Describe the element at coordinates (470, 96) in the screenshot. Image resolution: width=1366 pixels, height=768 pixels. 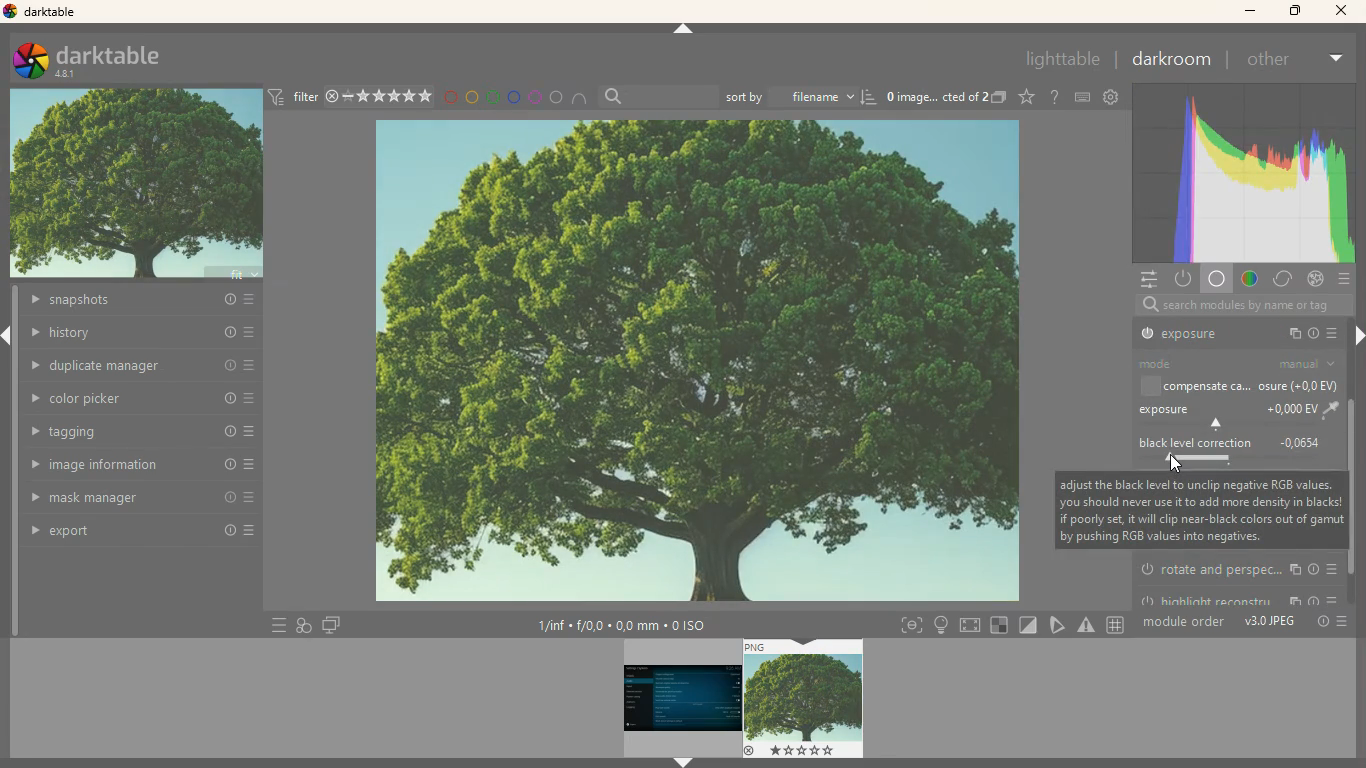
I see `yellow circle` at that location.